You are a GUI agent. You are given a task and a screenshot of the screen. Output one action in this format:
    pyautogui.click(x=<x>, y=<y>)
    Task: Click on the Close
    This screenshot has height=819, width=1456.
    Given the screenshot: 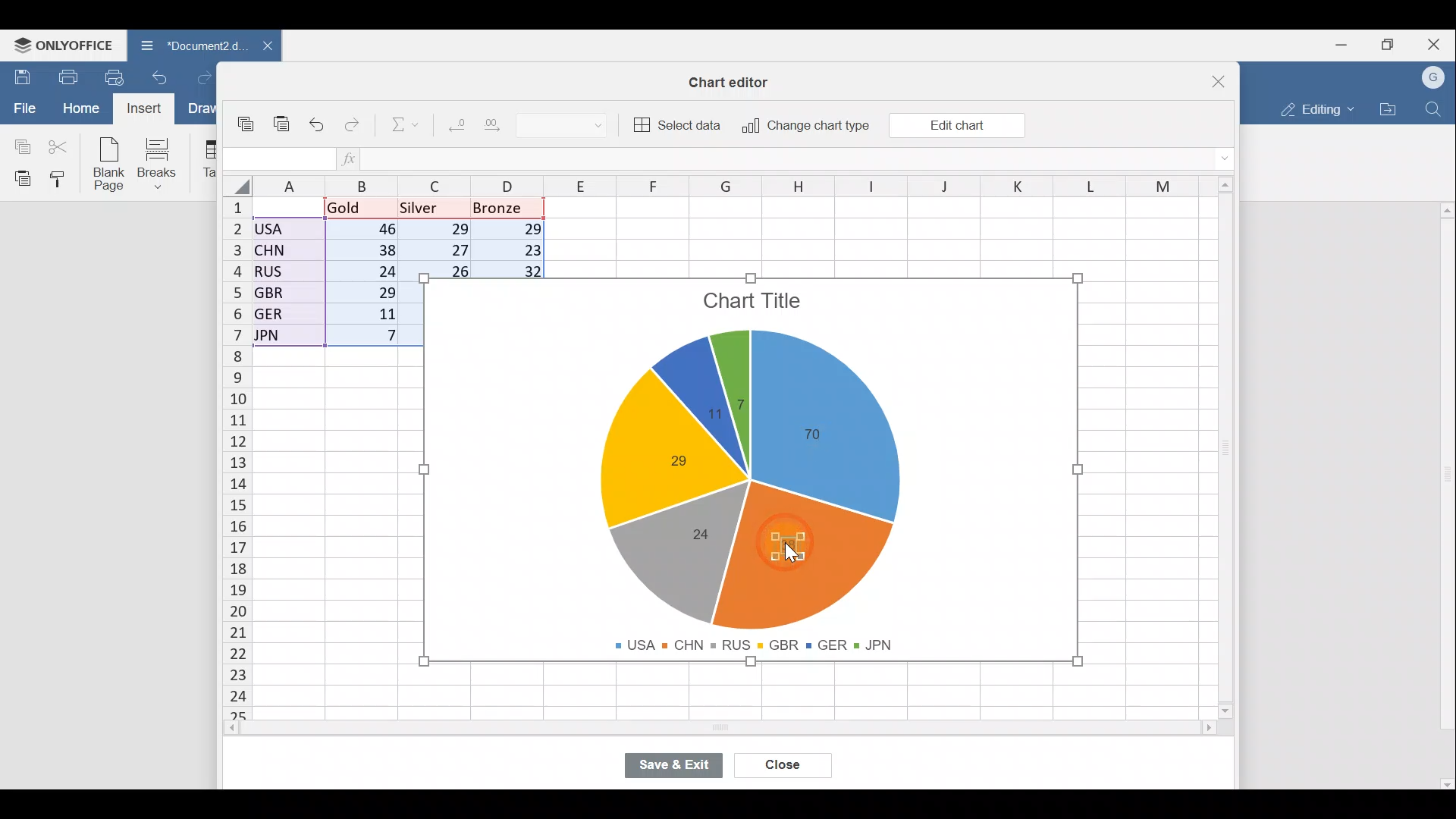 What is the action you would take?
    pyautogui.click(x=1438, y=43)
    